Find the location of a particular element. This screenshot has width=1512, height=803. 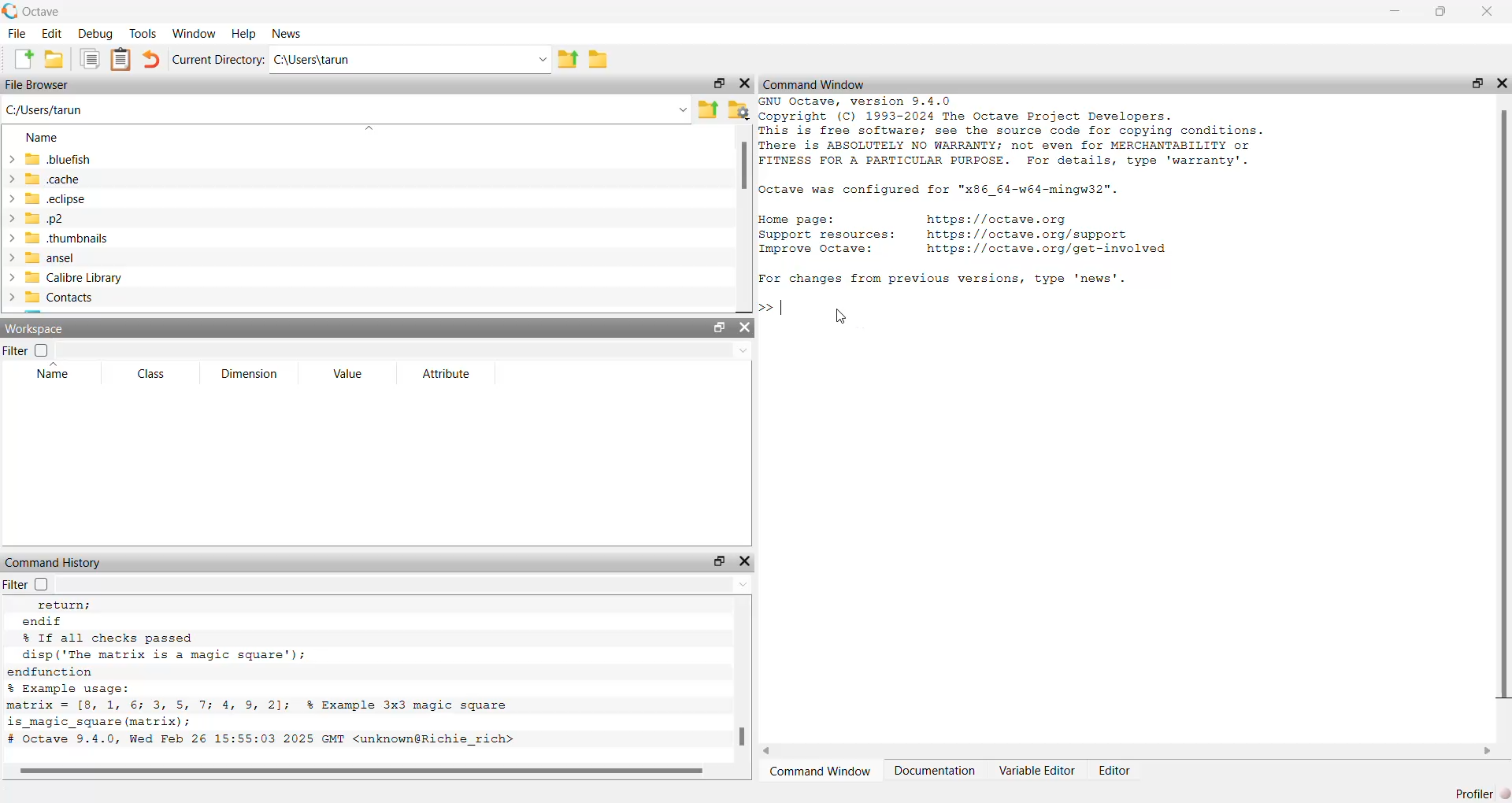

Value is located at coordinates (346, 375).